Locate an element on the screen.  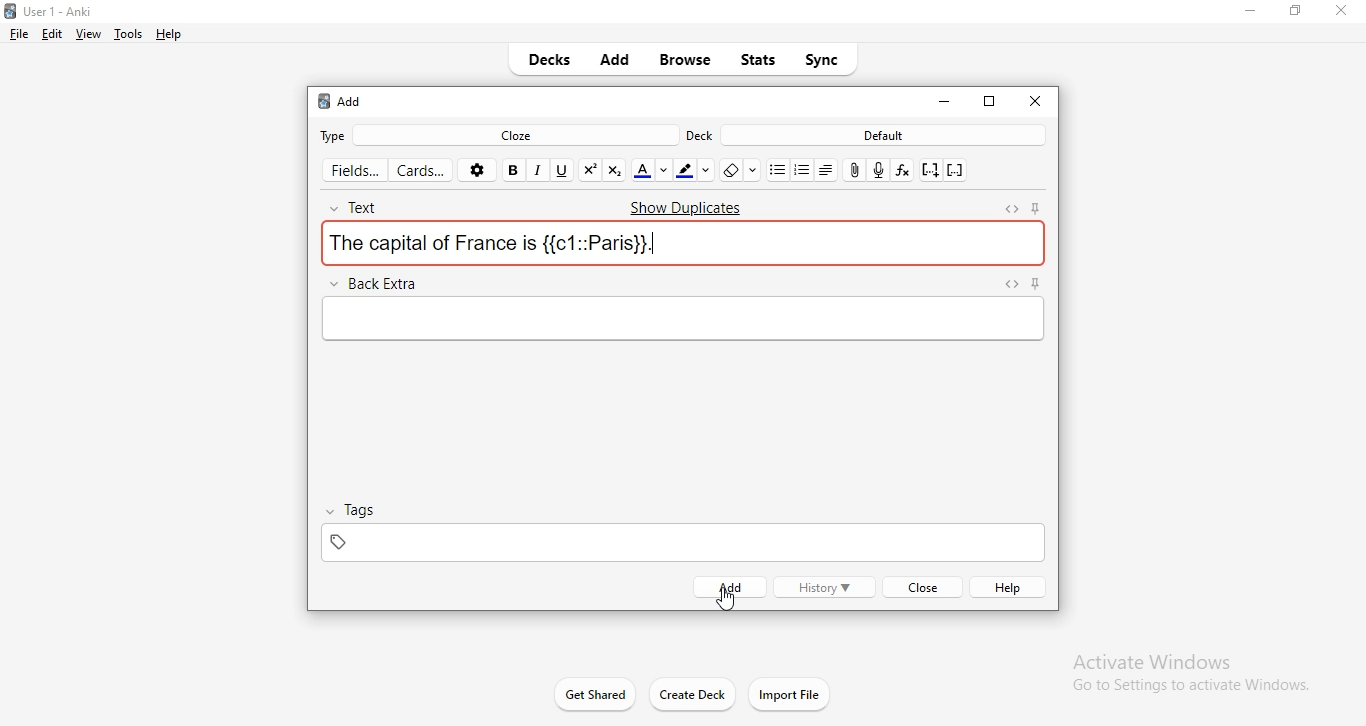
add is located at coordinates (617, 62).